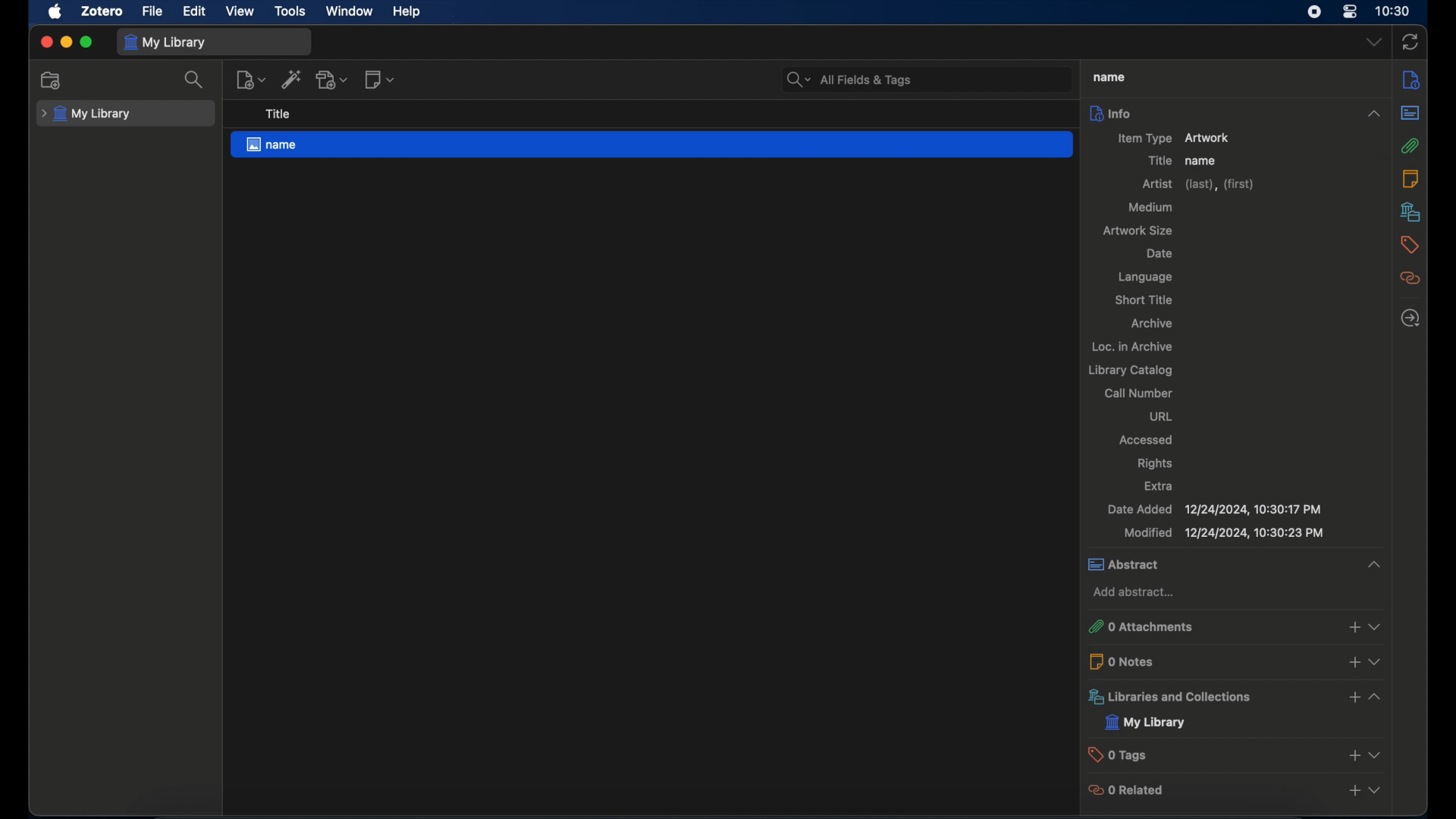  Describe the element at coordinates (1151, 206) in the screenshot. I see `medium` at that location.